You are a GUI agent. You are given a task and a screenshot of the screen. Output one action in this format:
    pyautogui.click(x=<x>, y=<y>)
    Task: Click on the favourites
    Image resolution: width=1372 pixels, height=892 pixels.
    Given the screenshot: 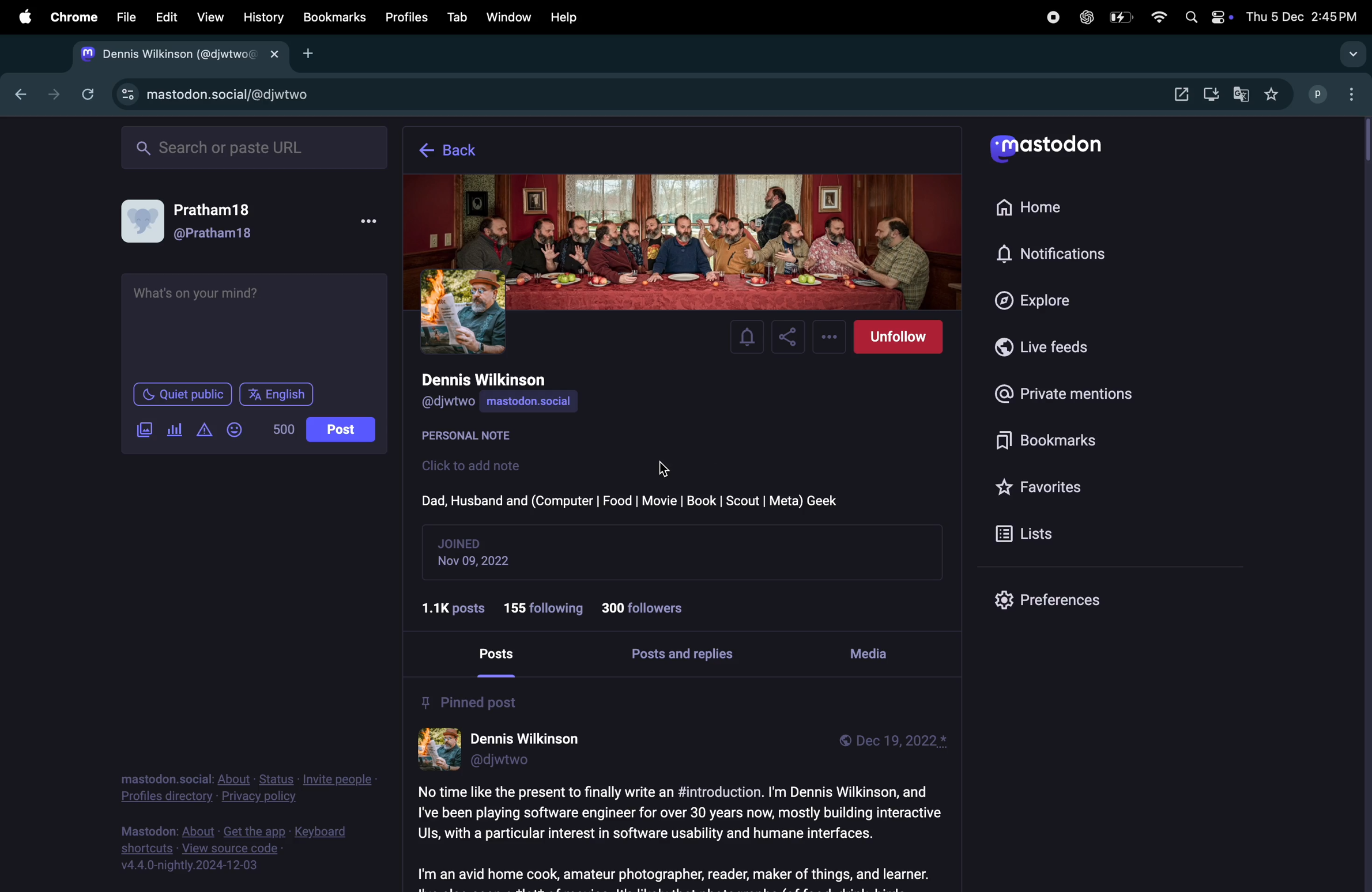 What is the action you would take?
    pyautogui.click(x=1278, y=94)
    